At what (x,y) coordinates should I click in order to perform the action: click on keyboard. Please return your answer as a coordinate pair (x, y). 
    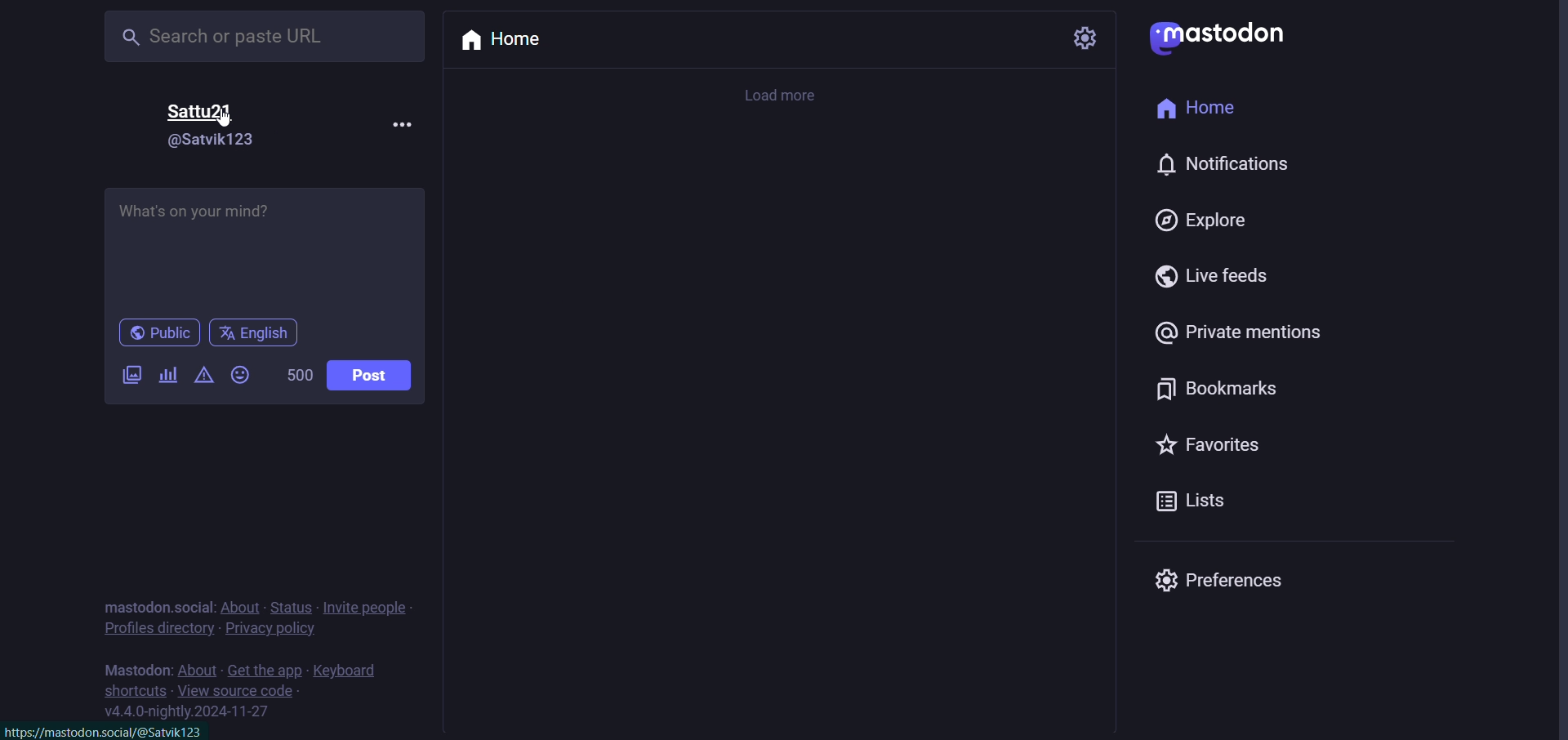
    Looking at the image, I should click on (350, 671).